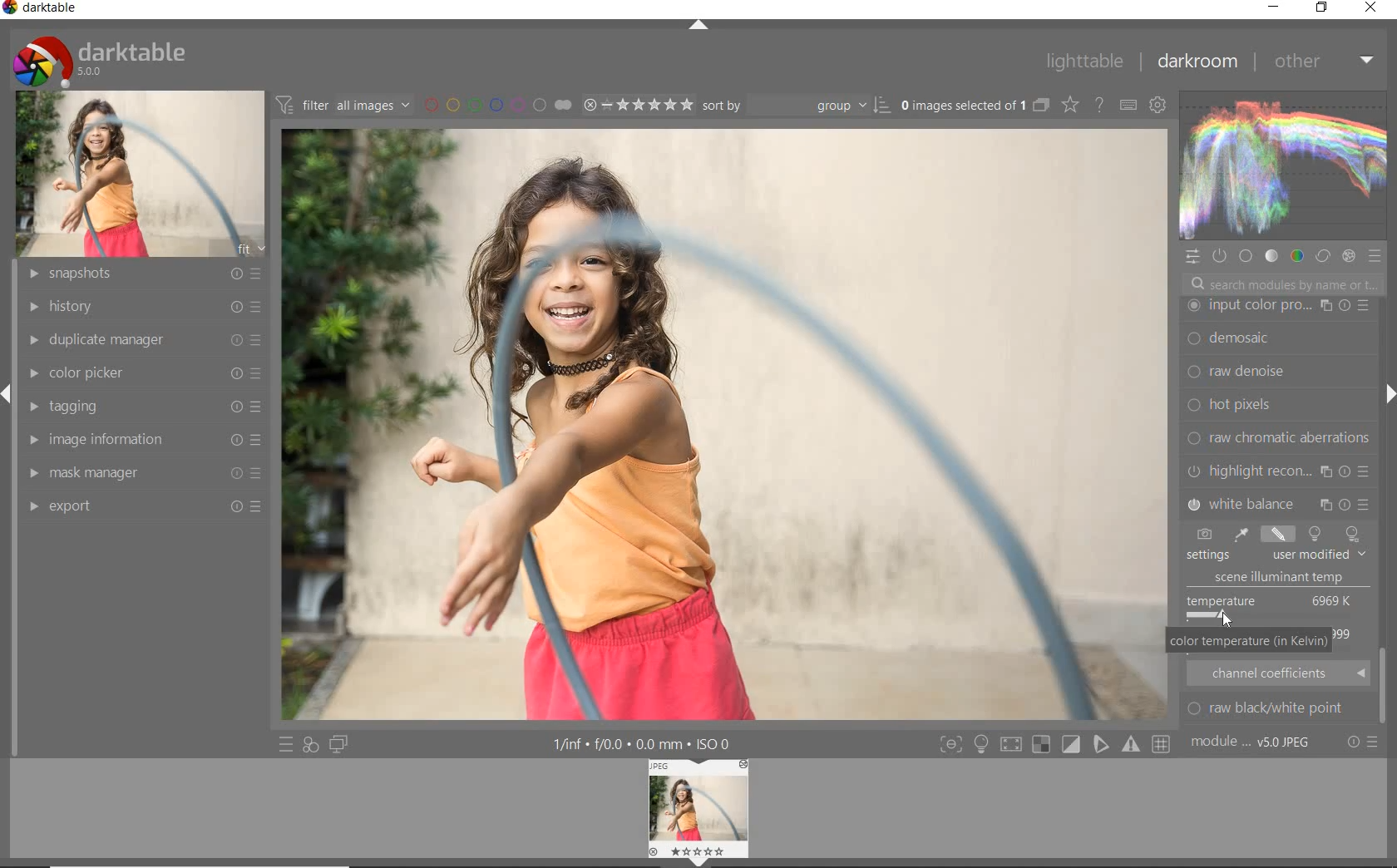 This screenshot has width=1397, height=868. Describe the element at coordinates (1084, 62) in the screenshot. I see `lighttable` at that location.